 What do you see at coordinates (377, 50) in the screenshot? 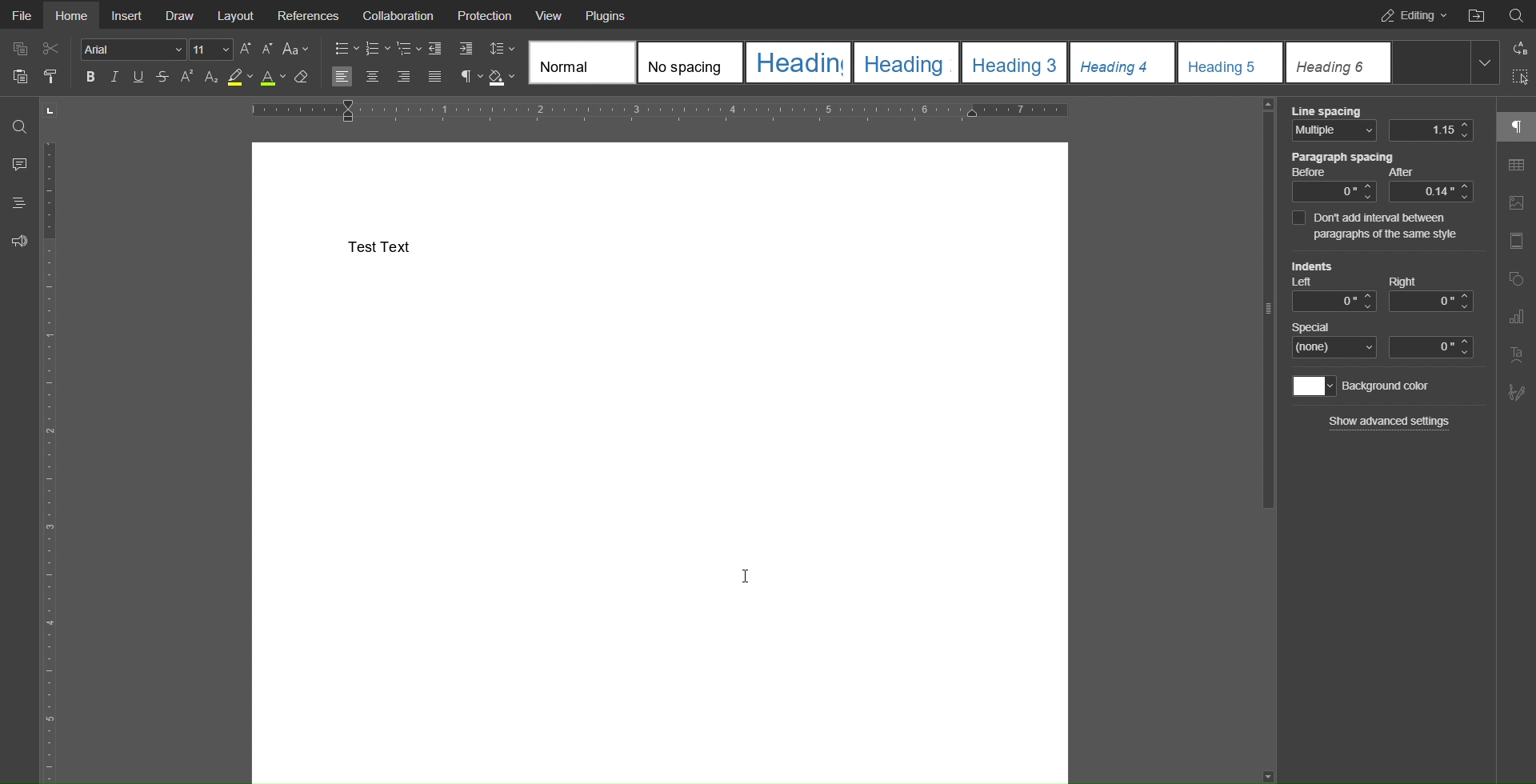
I see `Numbered List` at bounding box center [377, 50].